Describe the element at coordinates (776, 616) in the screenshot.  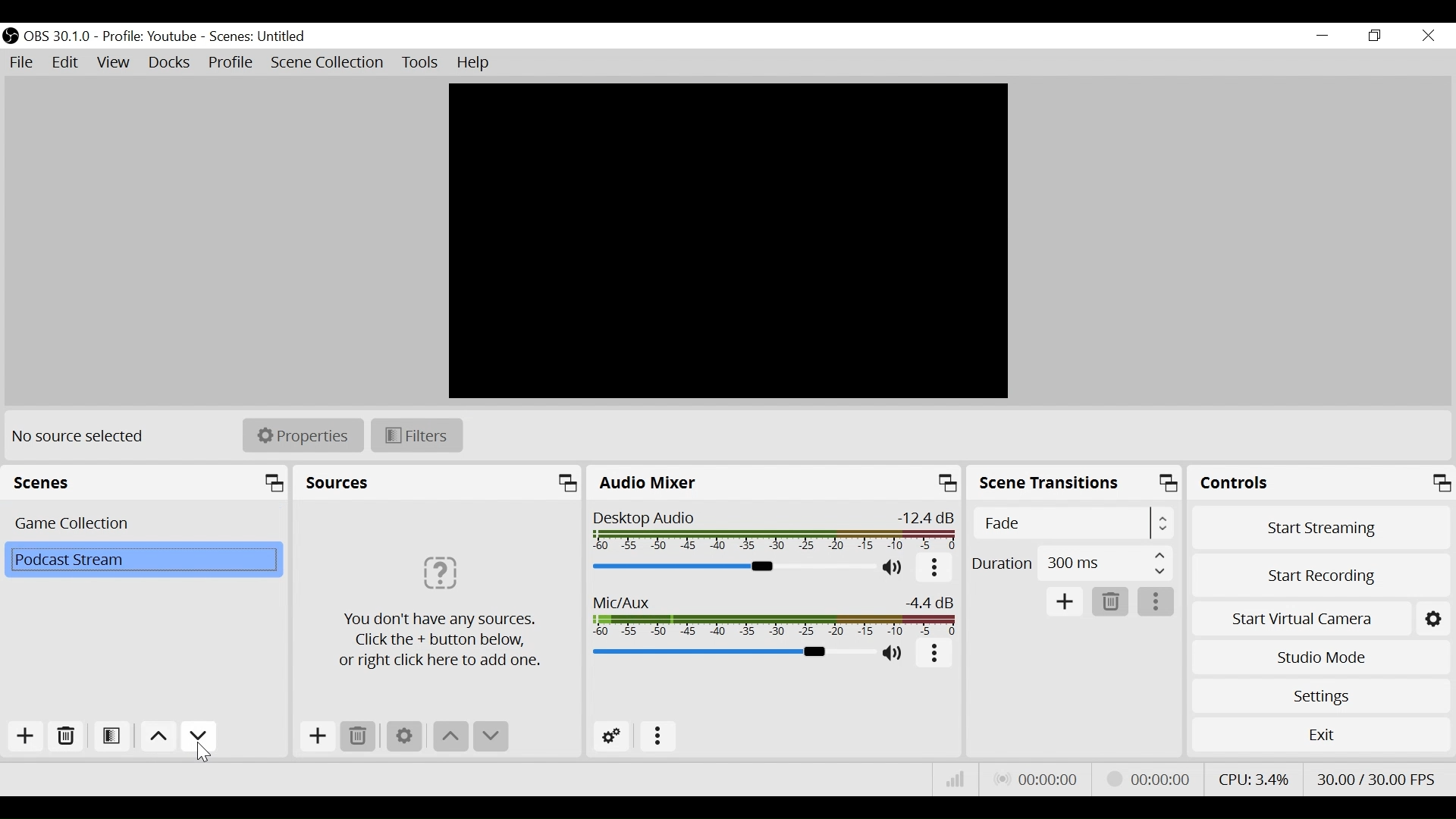
I see `Mic/Aux` at that location.